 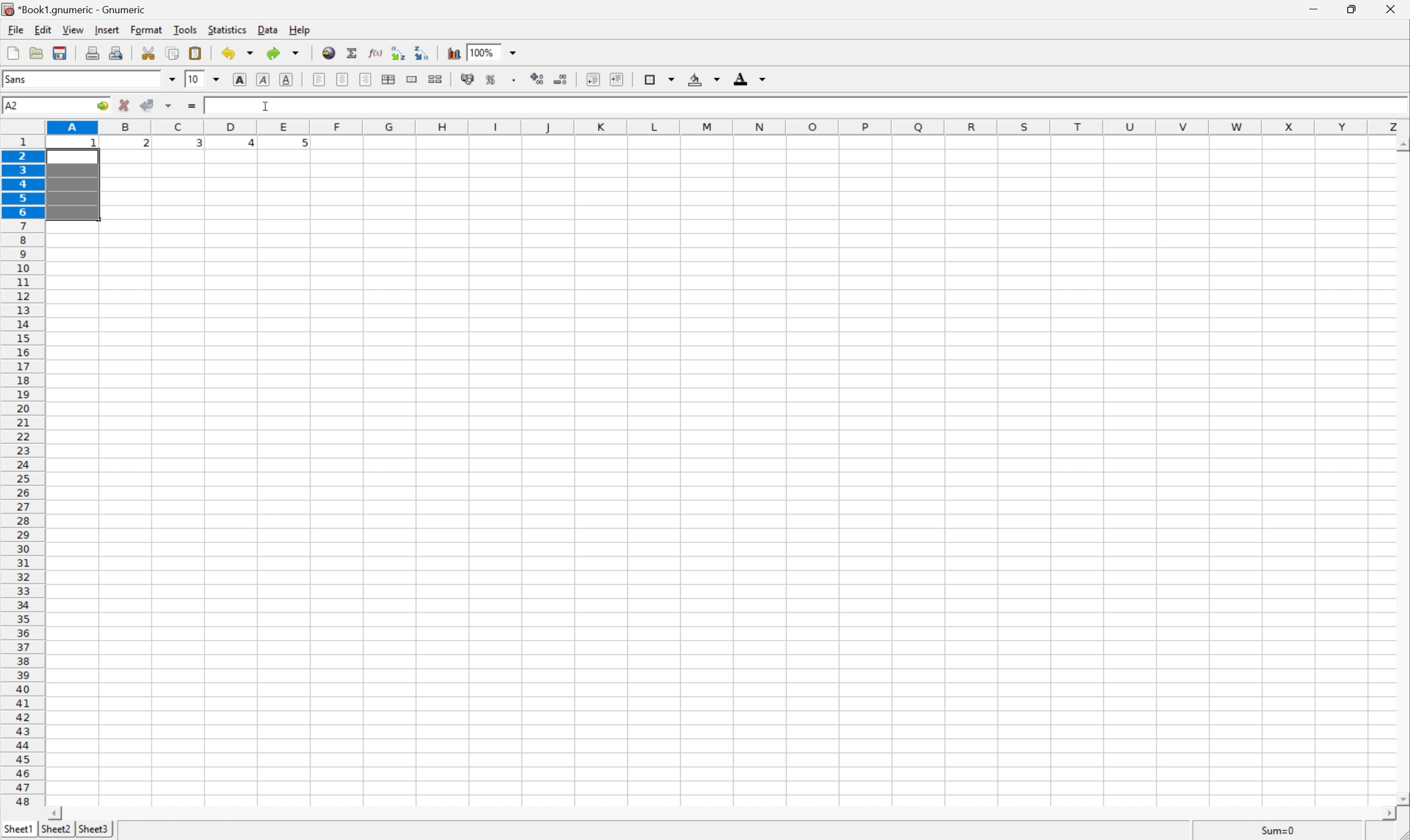 What do you see at coordinates (285, 53) in the screenshot?
I see `redo` at bounding box center [285, 53].